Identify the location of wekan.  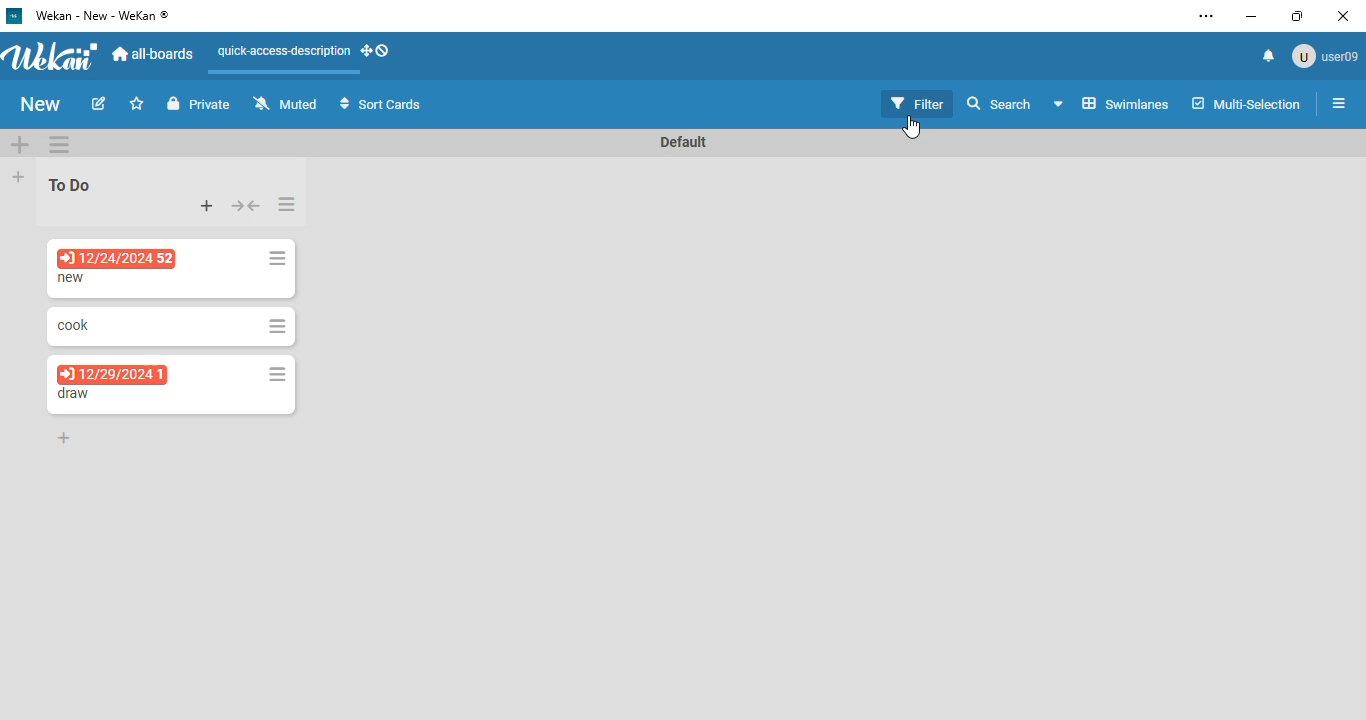
(51, 55).